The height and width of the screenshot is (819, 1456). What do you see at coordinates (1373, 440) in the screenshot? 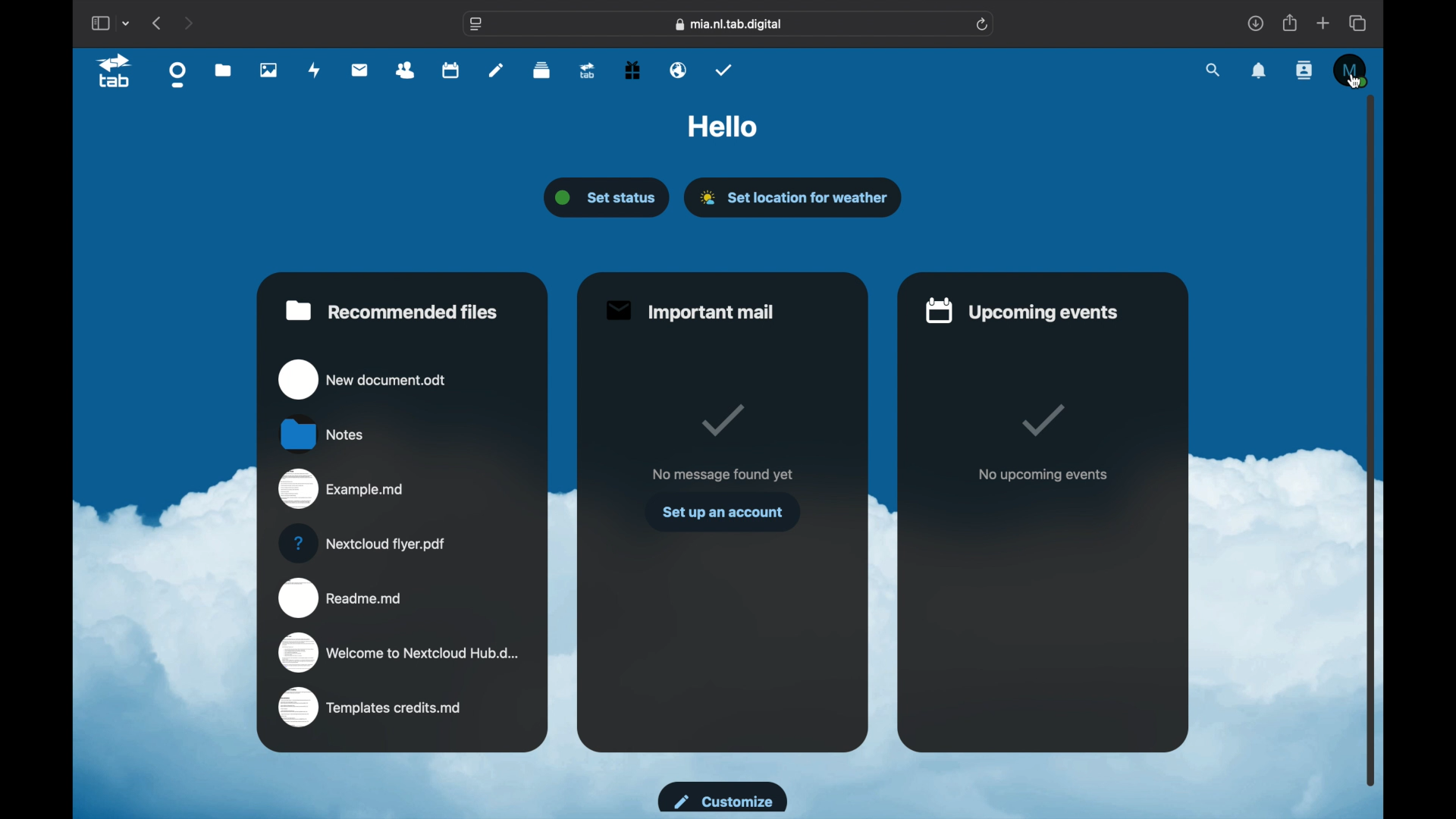
I see `scroll box` at bounding box center [1373, 440].